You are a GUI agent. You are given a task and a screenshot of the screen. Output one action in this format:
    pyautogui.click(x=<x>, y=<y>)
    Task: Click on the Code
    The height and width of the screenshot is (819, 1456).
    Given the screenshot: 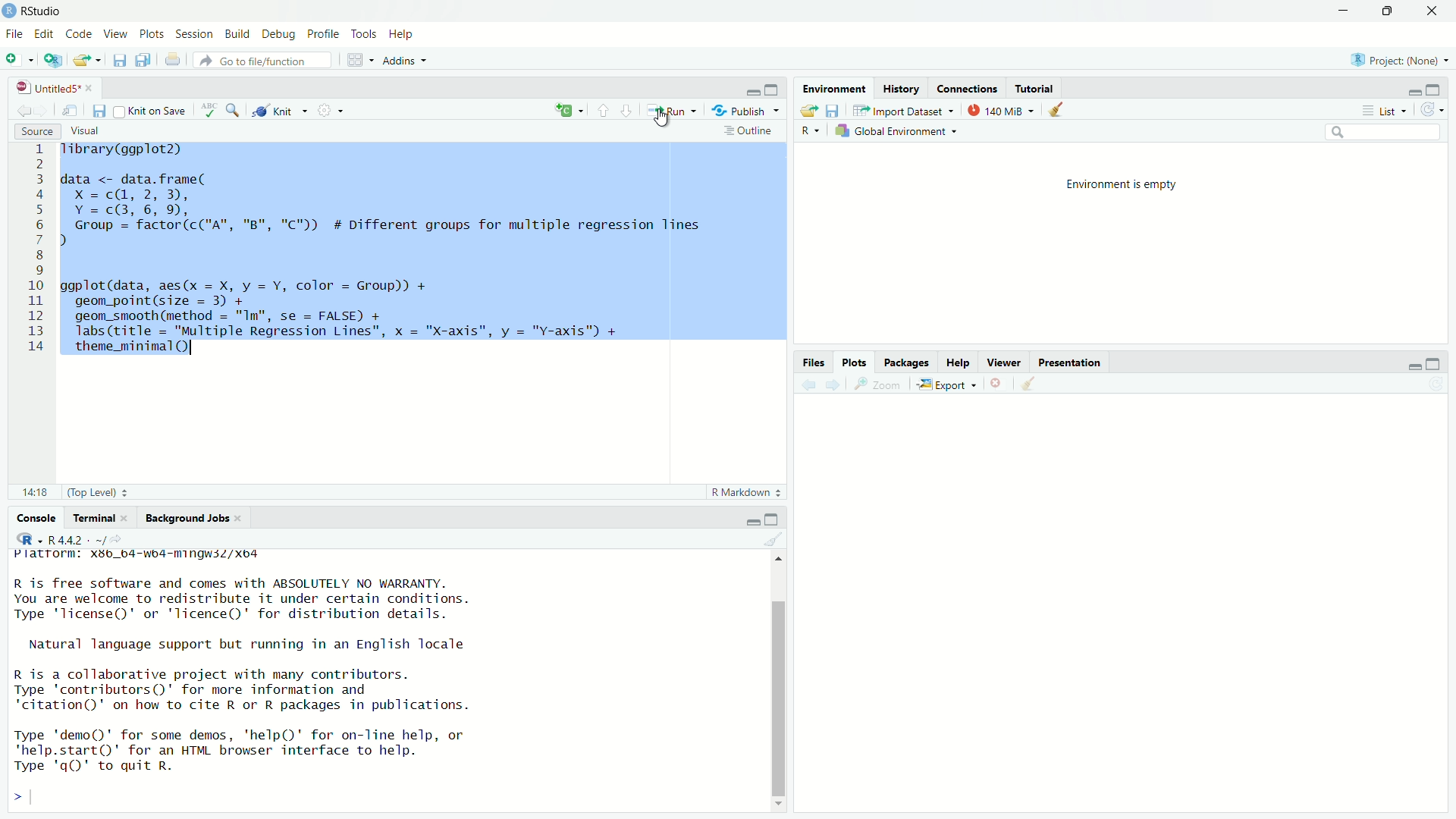 What is the action you would take?
    pyautogui.click(x=79, y=34)
    